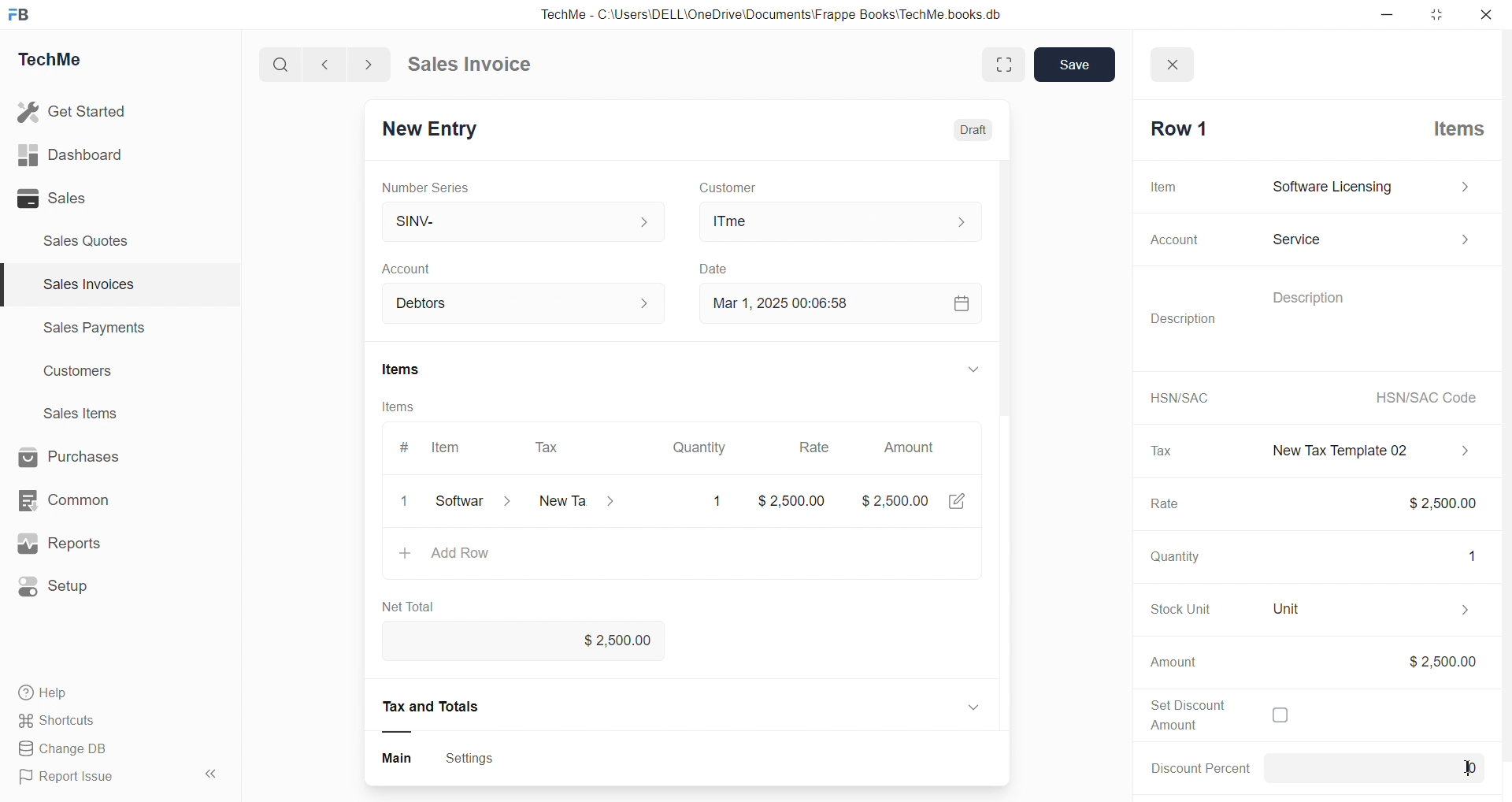 This screenshot has height=802, width=1512. I want to click on Quantity, so click(1170, 559).